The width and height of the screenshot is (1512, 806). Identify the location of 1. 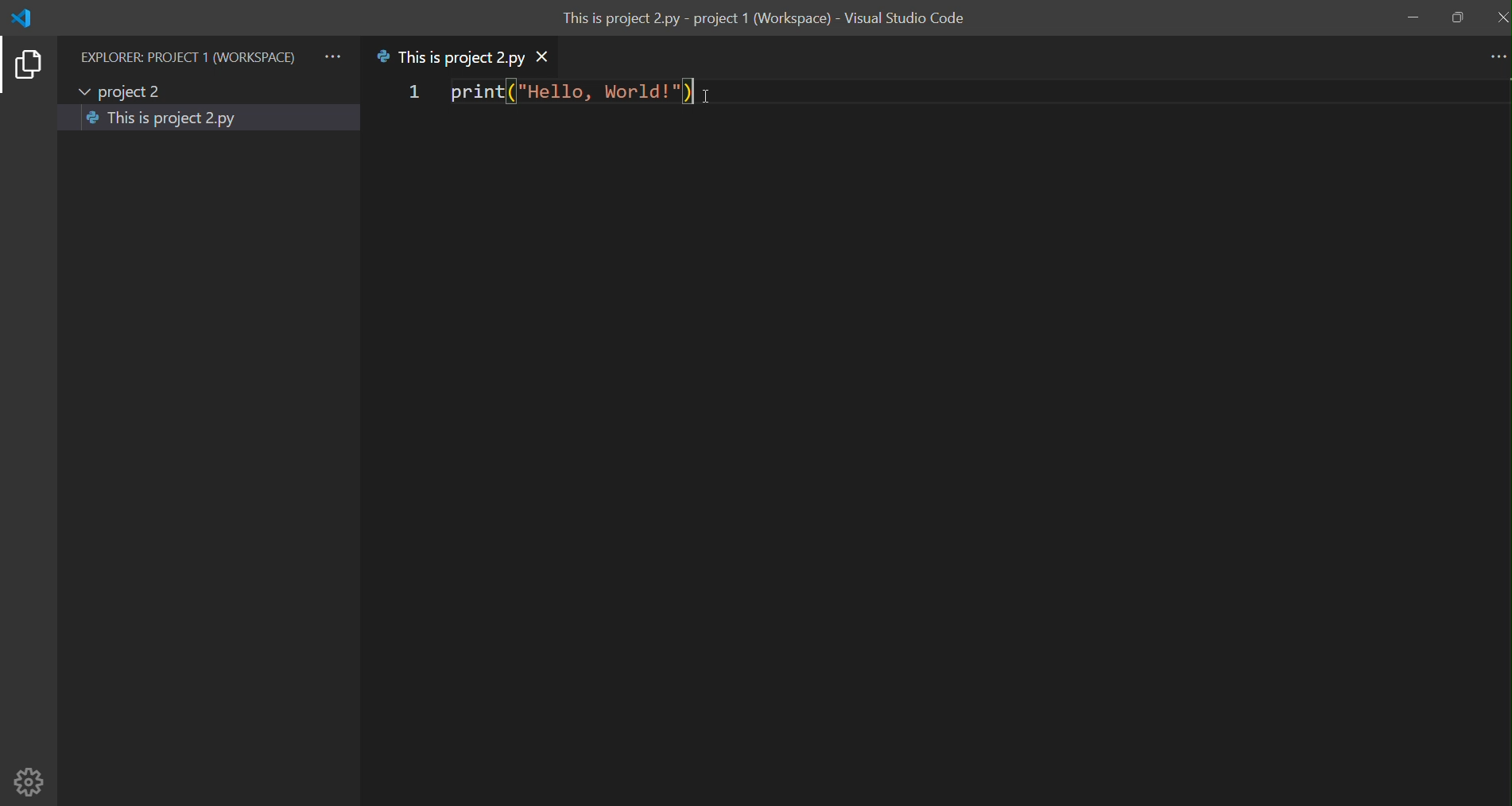
(411, 93).